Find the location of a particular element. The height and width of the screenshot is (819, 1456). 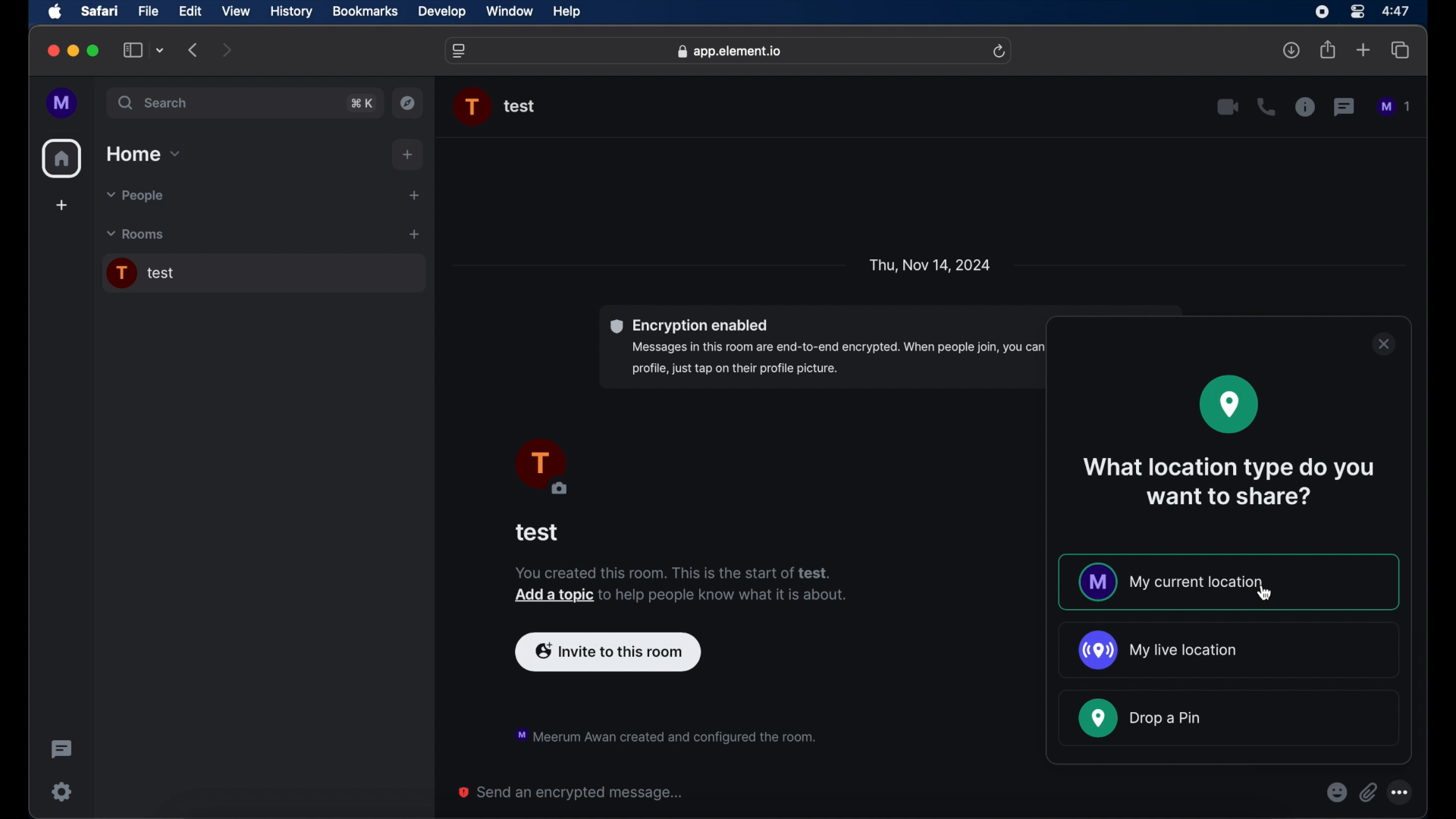

search shortcut is located at coordinates (361, 102).